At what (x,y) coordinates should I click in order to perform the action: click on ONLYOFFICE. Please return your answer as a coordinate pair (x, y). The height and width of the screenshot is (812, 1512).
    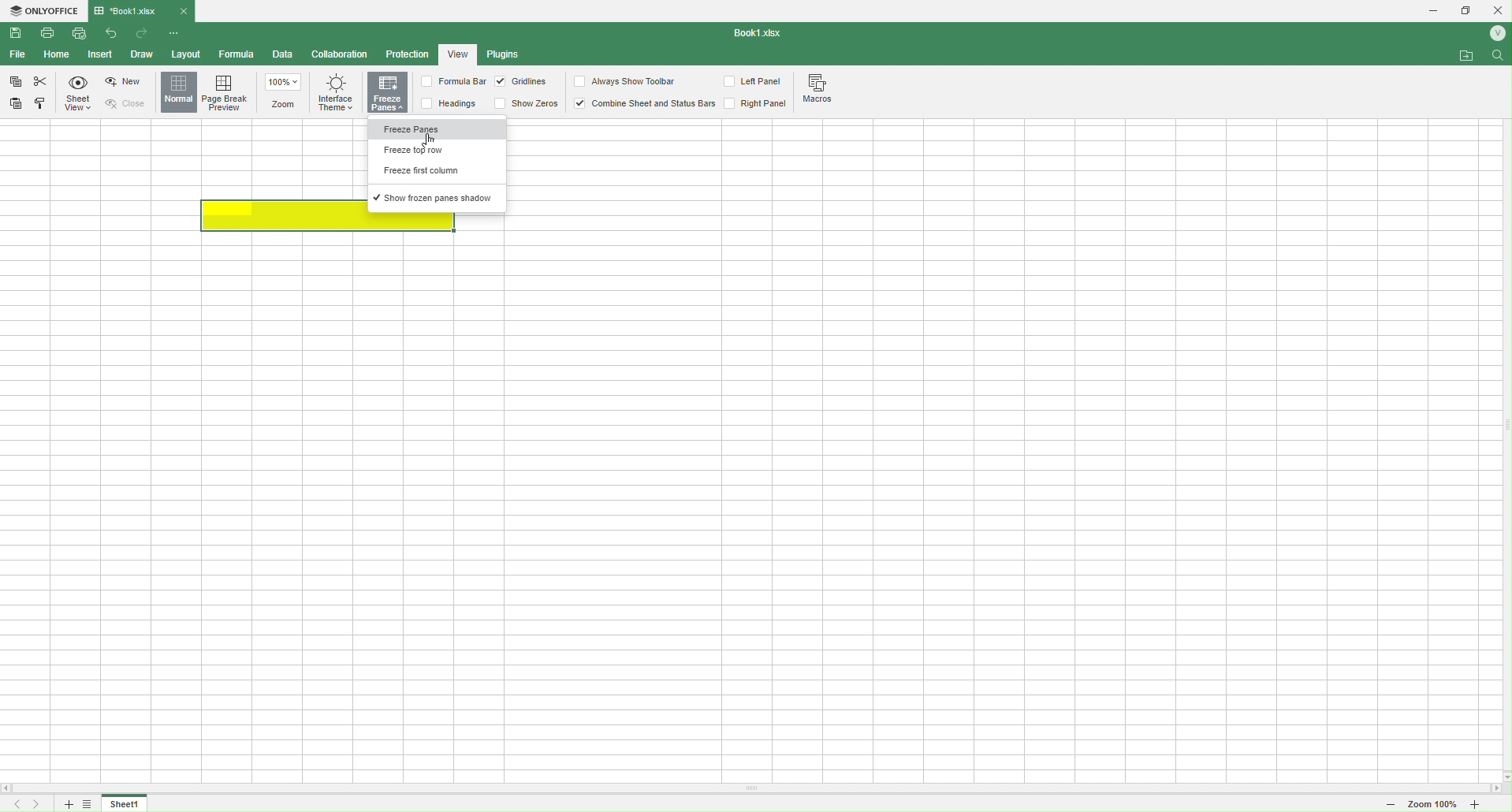
    Looking at the image, I should click on (44, 12).